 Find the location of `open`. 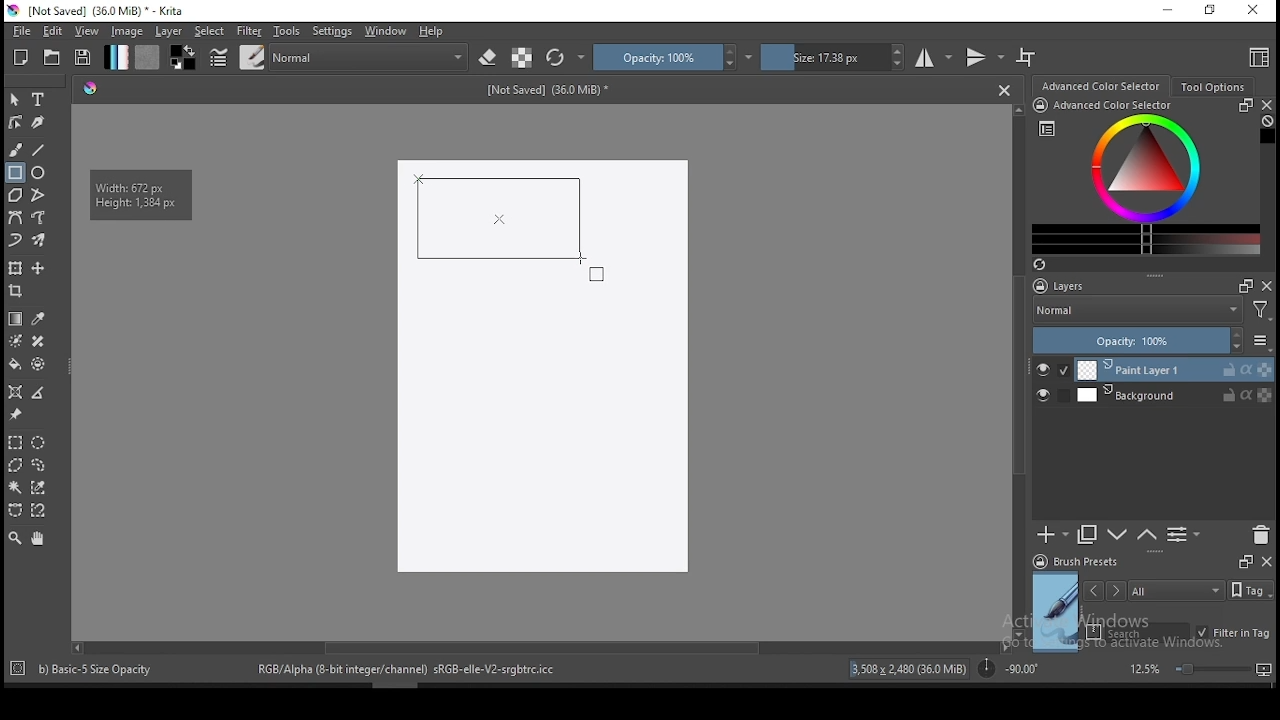

open is located at coordinates (52, 57).